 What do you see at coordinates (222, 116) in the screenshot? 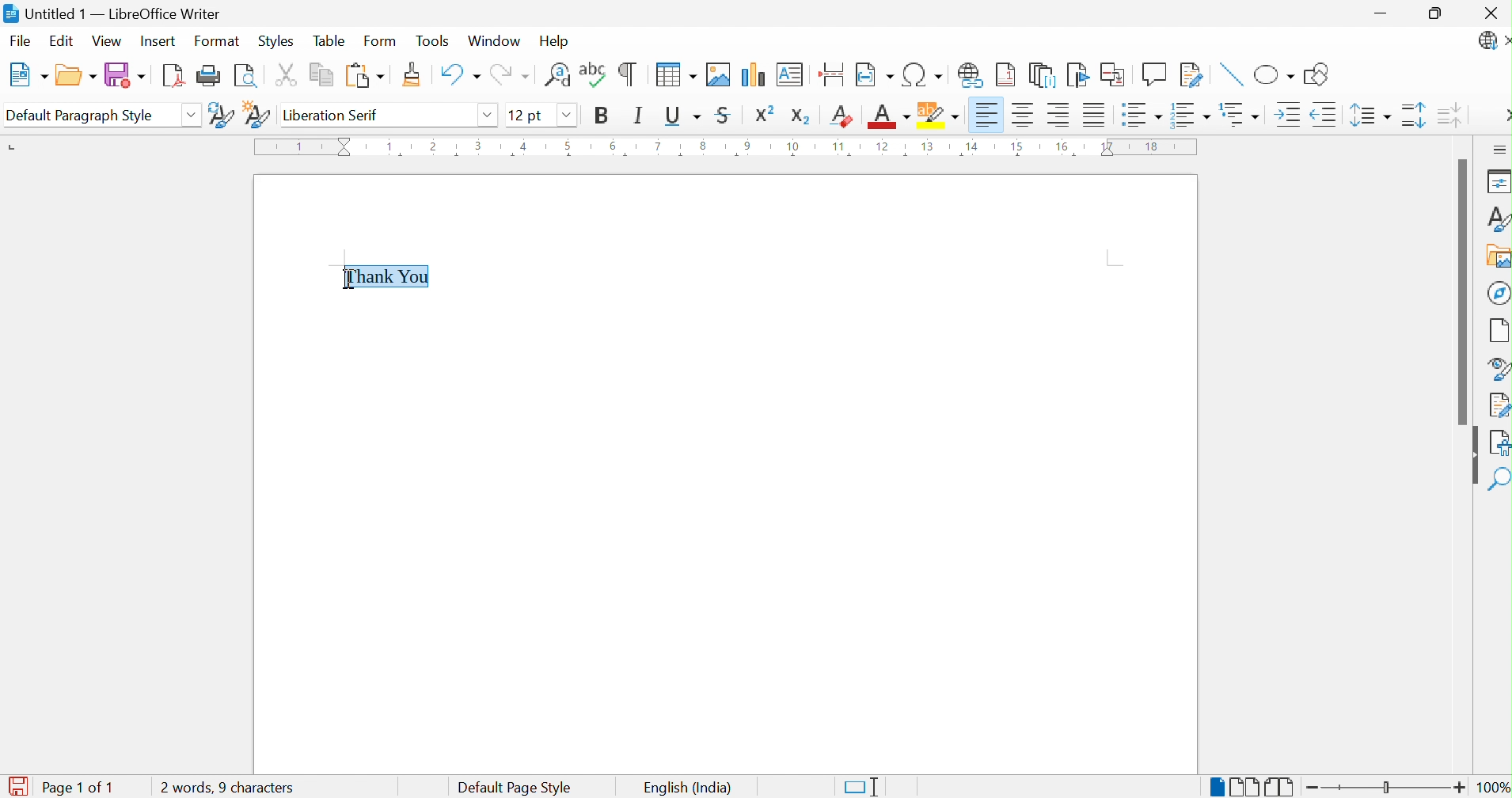
I see `Update Selected Style` at bounding box center [222, 116].